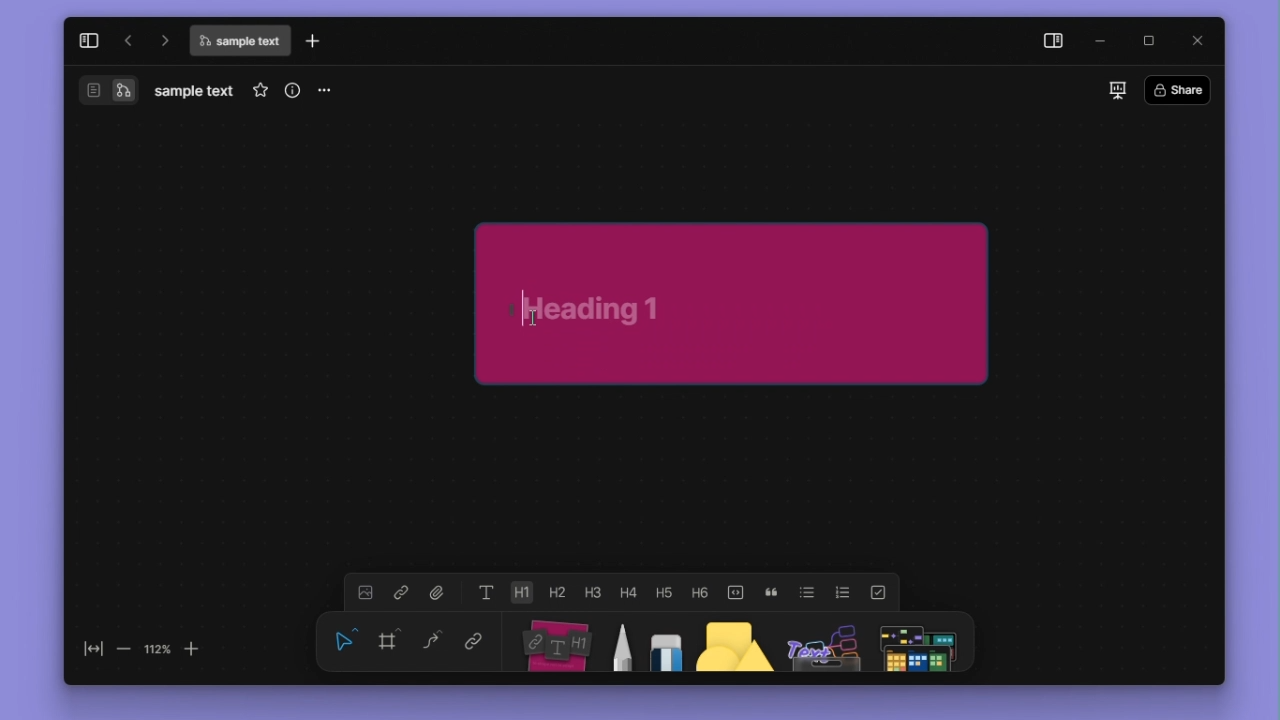 The height and width of the screenshot is (720, 1280). Describe the element at coordinates (163, 40) in the screenshot. I see `go forward` at that location.